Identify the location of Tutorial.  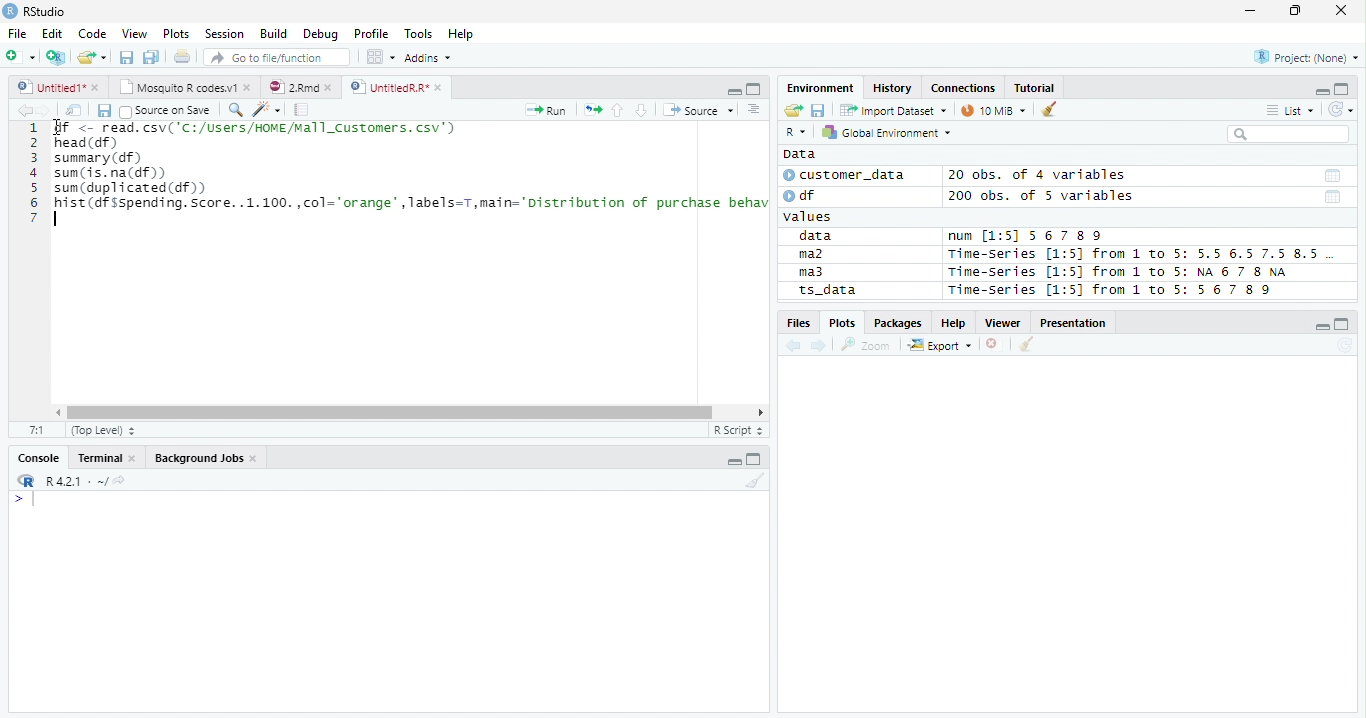
(1035, 87).